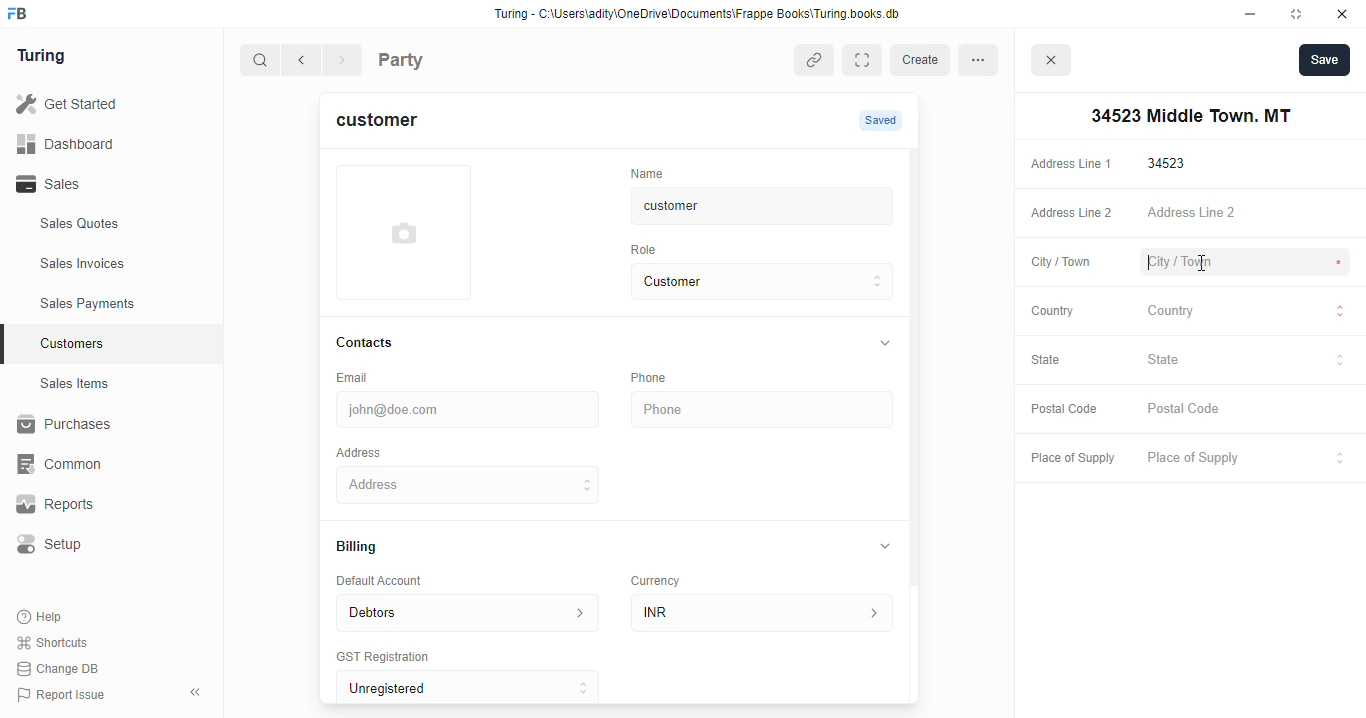 Image resolution: width=1366 pixels, height=718 pixels. What do you see at coordinates (107, 226) in the screenshot?
I see `Sales Quotes` at bounding box center [107, 226].